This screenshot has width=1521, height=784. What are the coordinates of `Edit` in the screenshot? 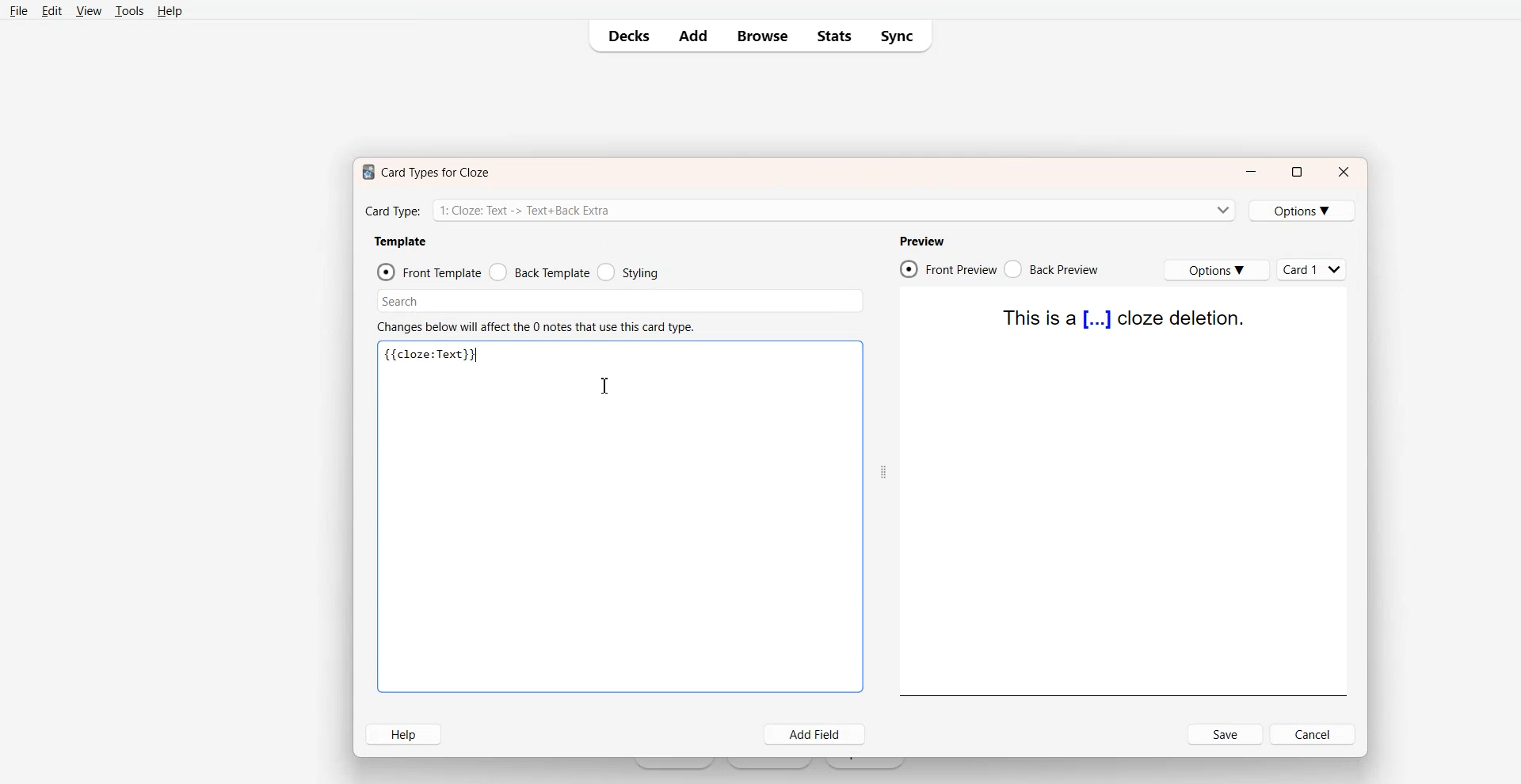 It's located at (51, 10).